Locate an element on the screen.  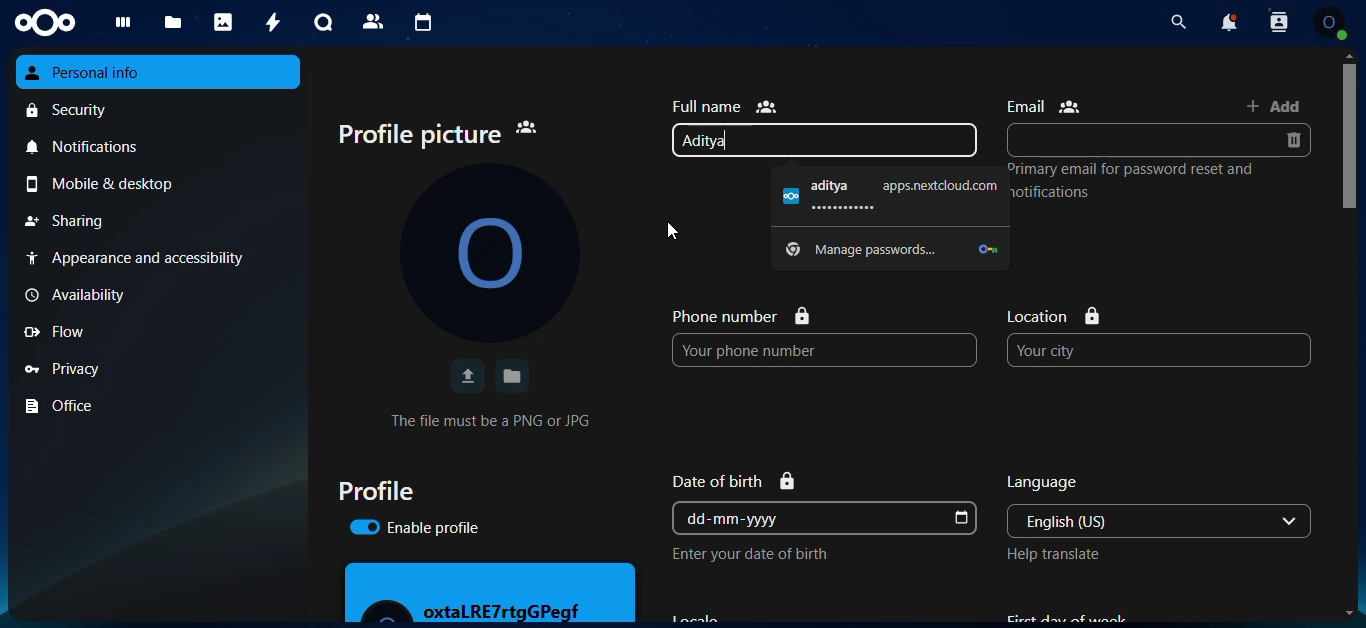
personal info is located at coordinates (159, 72).